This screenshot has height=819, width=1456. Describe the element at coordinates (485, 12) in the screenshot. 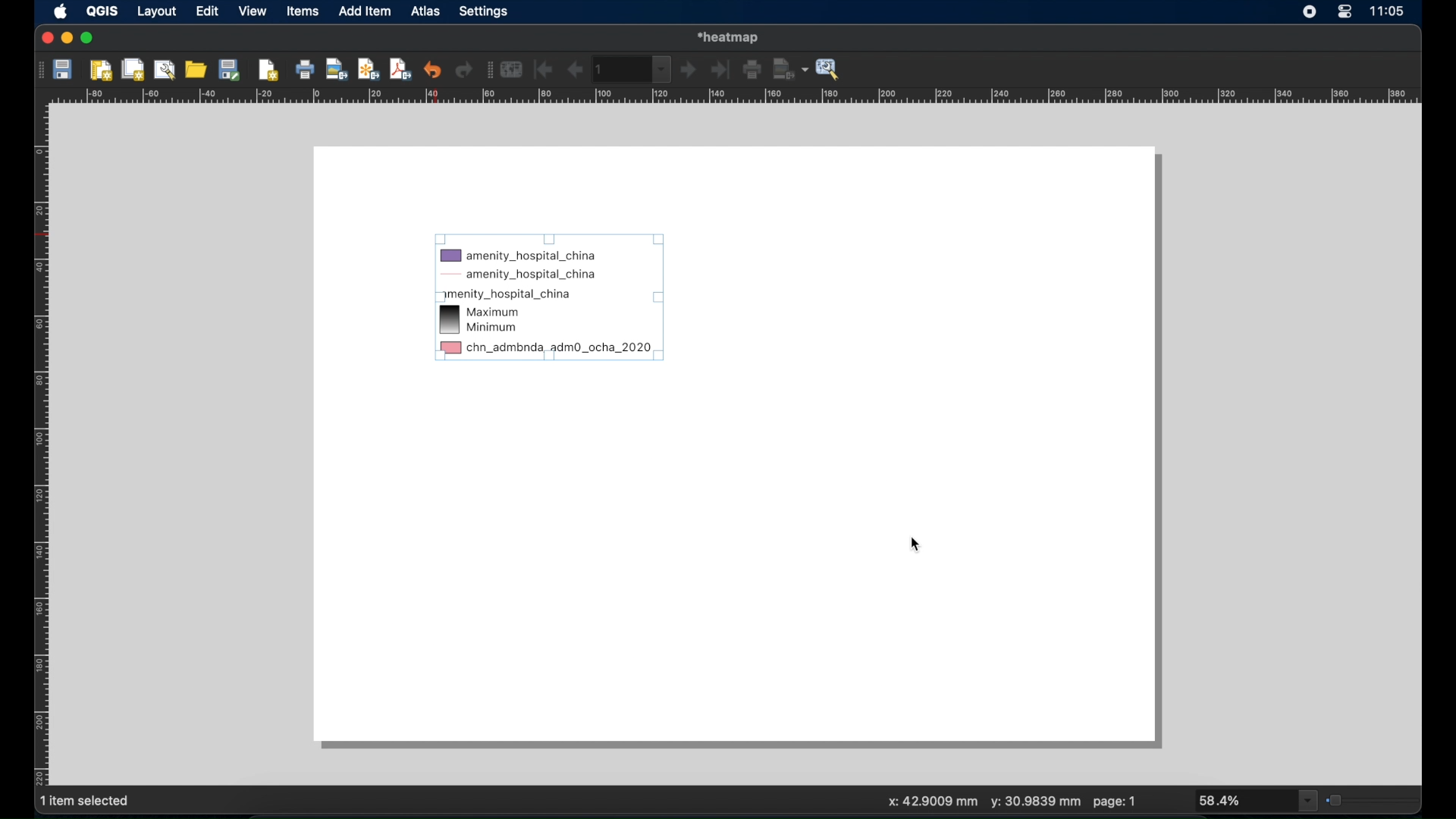

I see `settings` at that location.